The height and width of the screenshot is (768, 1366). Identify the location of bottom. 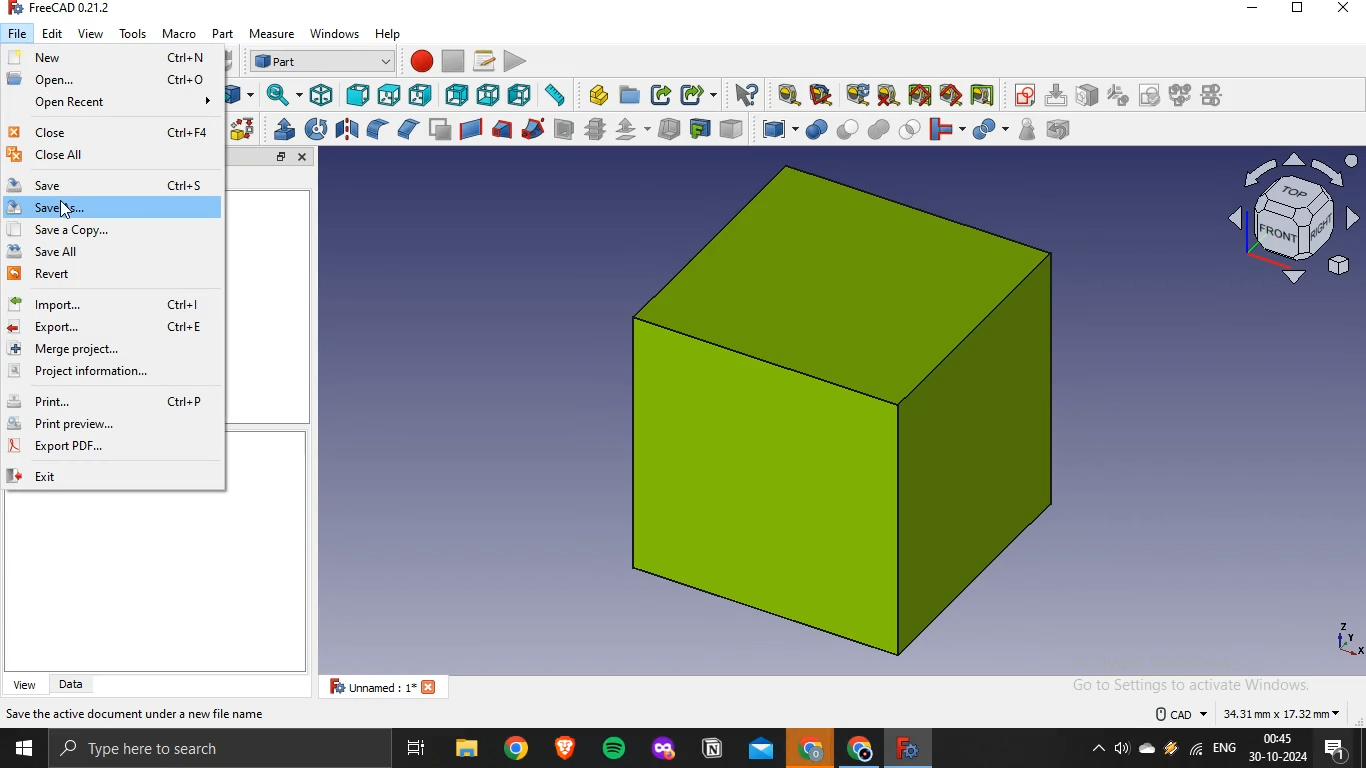
(488, 95).